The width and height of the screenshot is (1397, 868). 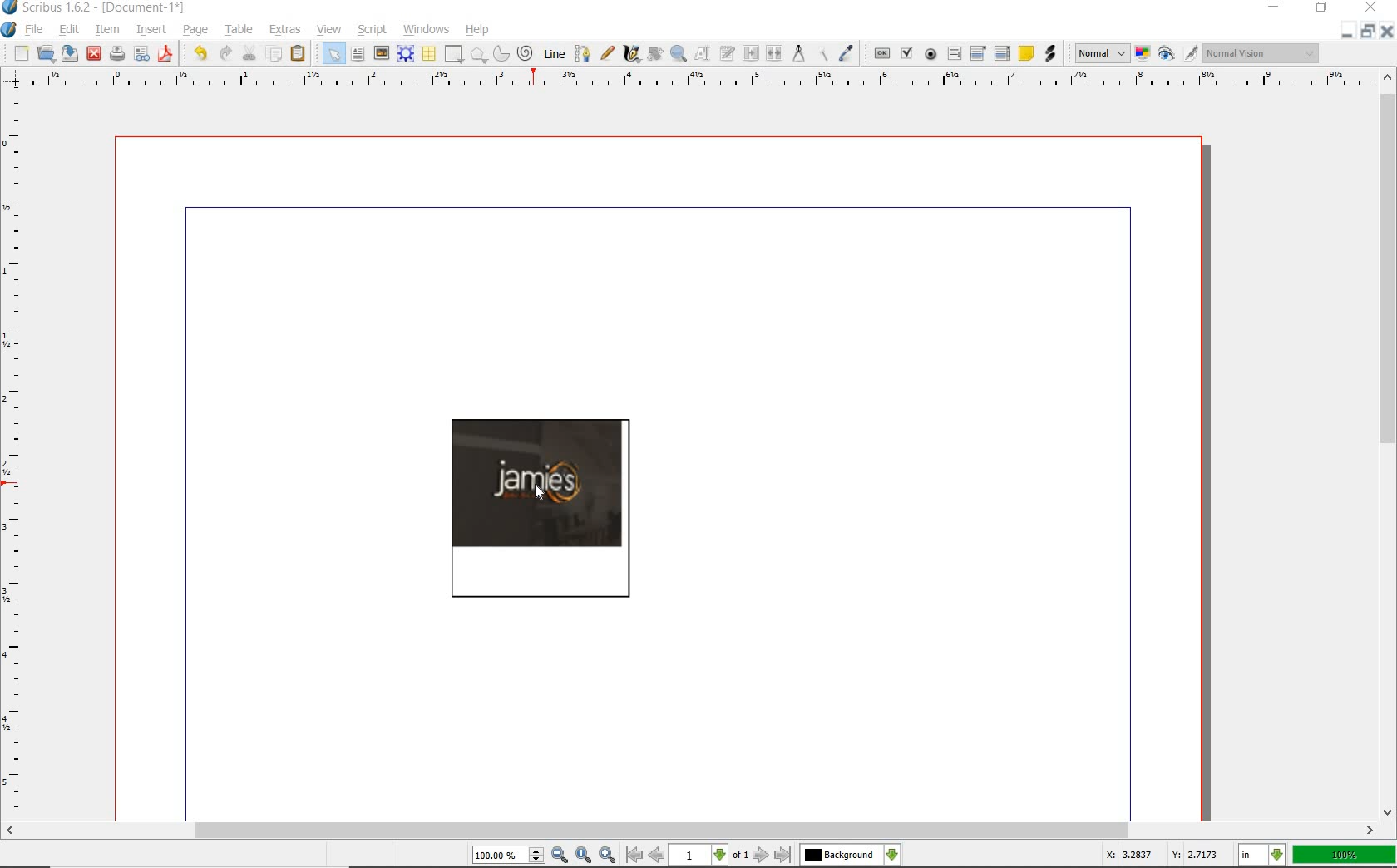 What do you see at coordinates (96, 52) in the screenshot?
I see `close` at bounding box center [96, 52].